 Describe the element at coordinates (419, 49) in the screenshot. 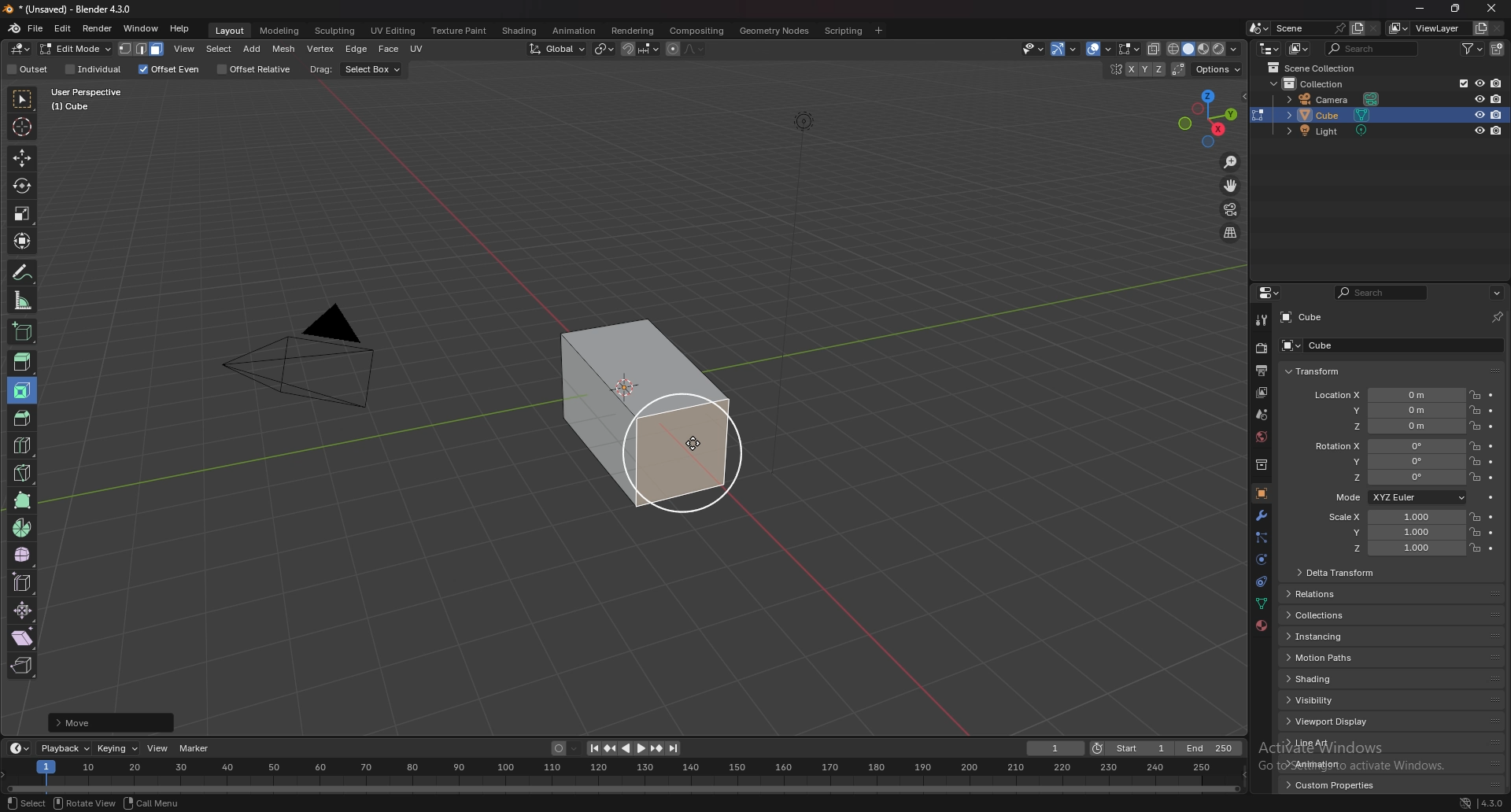

I see `uv` at that location.